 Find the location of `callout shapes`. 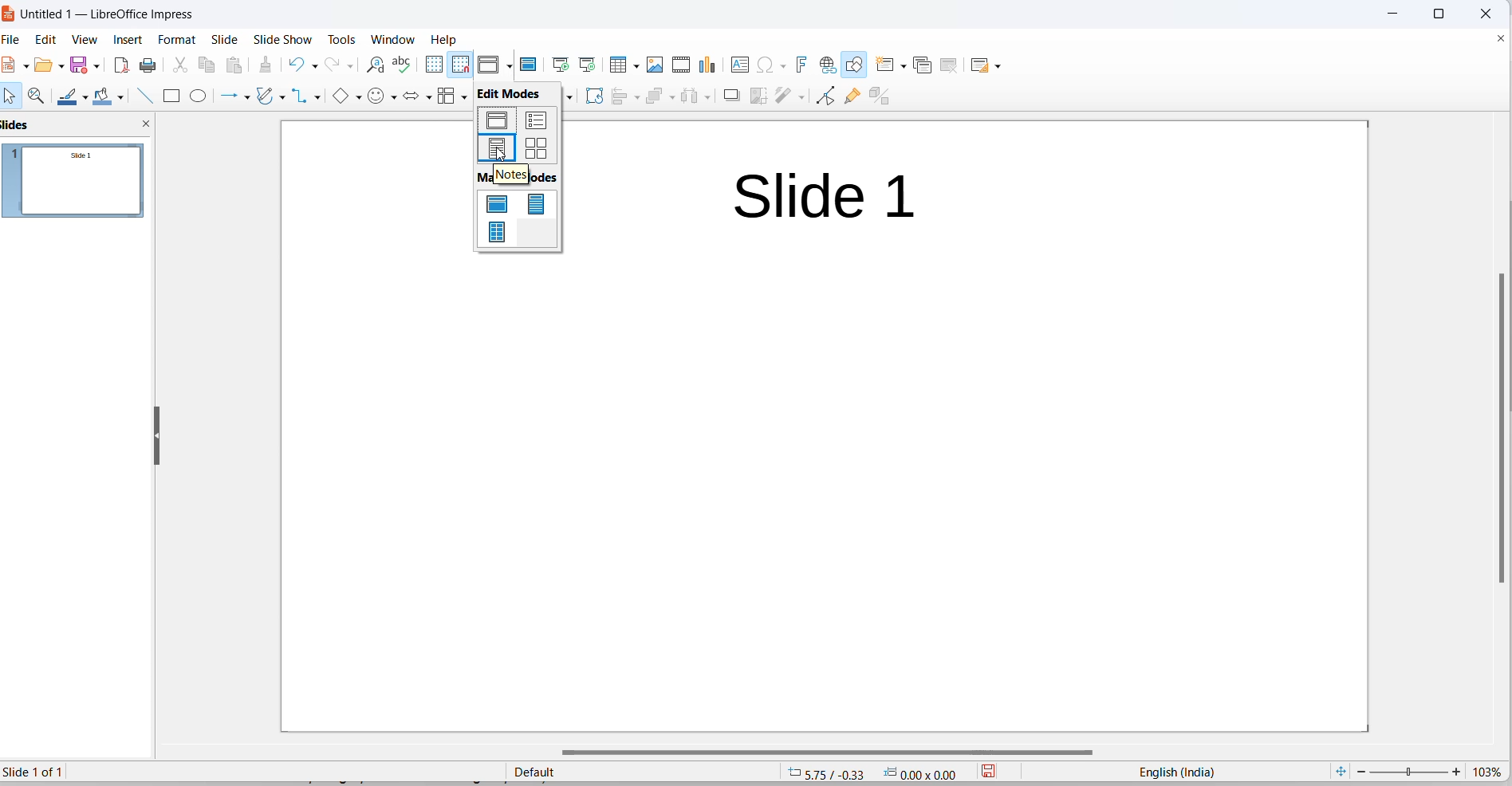

callout shapes is located at coordinates (481, 98).